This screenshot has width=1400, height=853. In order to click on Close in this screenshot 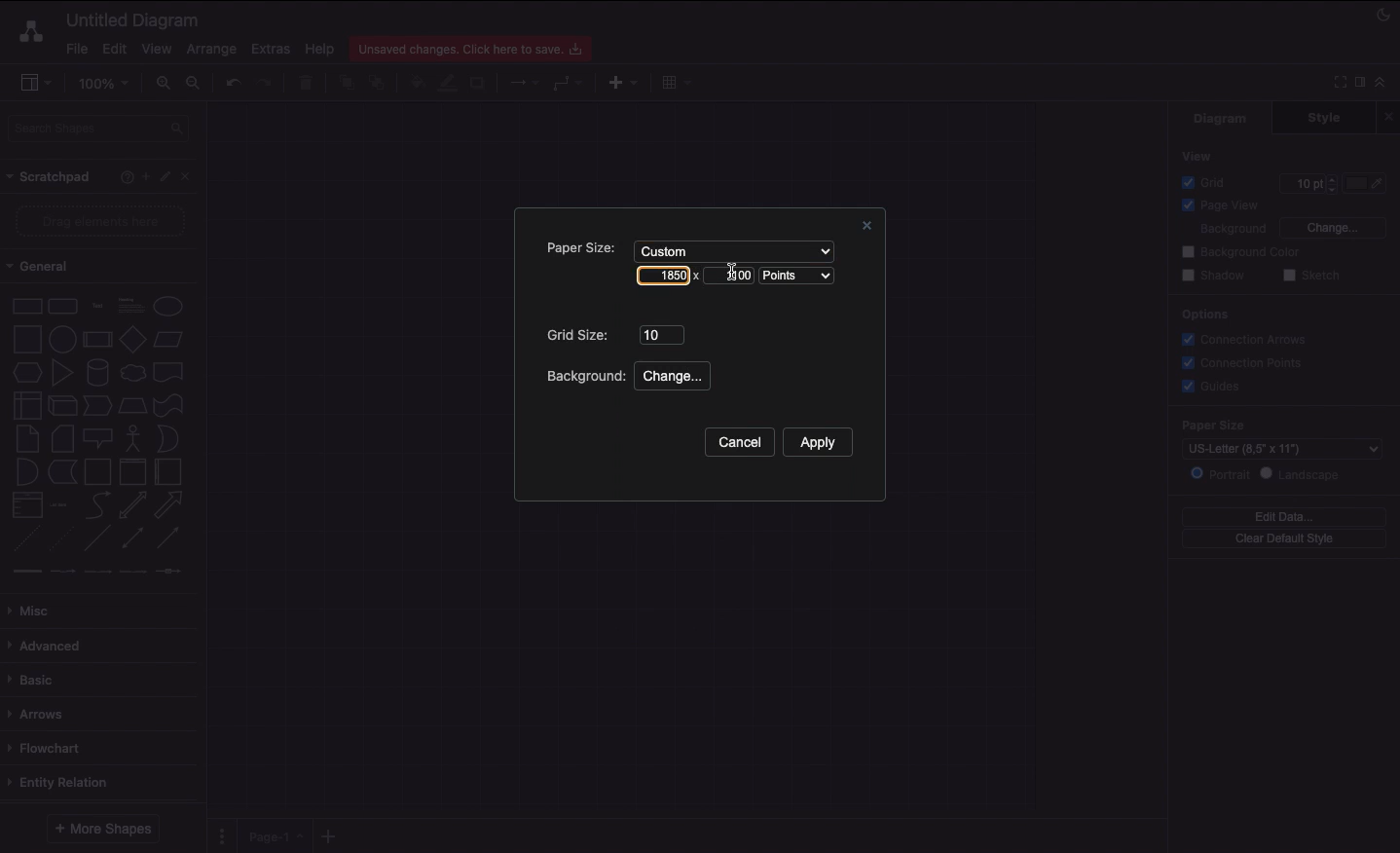, I will do `click(191, 175)`.